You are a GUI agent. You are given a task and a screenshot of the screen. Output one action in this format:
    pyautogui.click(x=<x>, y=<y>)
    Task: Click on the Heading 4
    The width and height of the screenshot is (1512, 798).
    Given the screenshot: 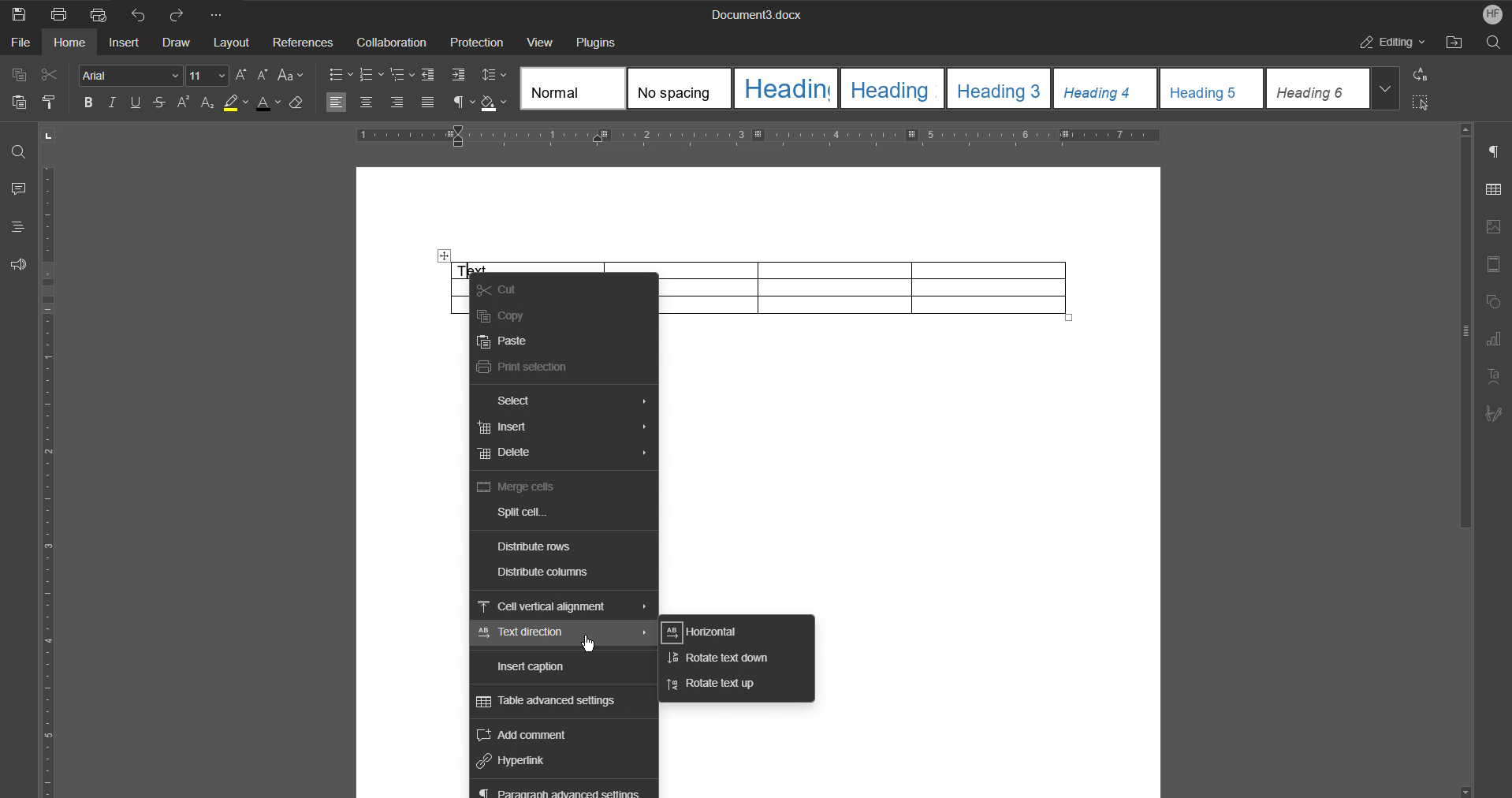 What is the action you would take?
    pyautogui.click(x=1105, y=88)
    